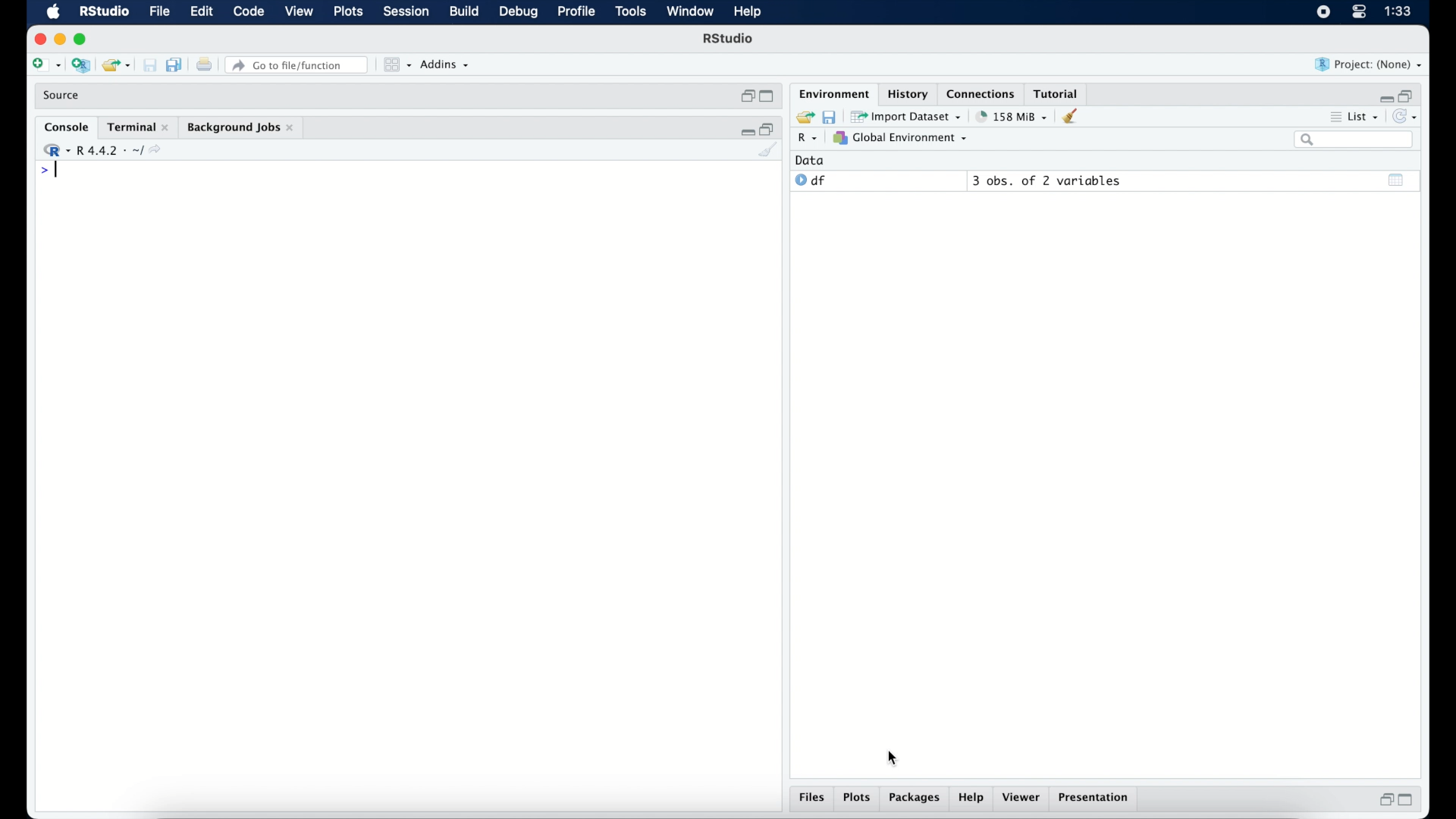  What do you see at coordinates (769, 151) in the screenshot?
I see `clear console` at bounding box center [769, 151].